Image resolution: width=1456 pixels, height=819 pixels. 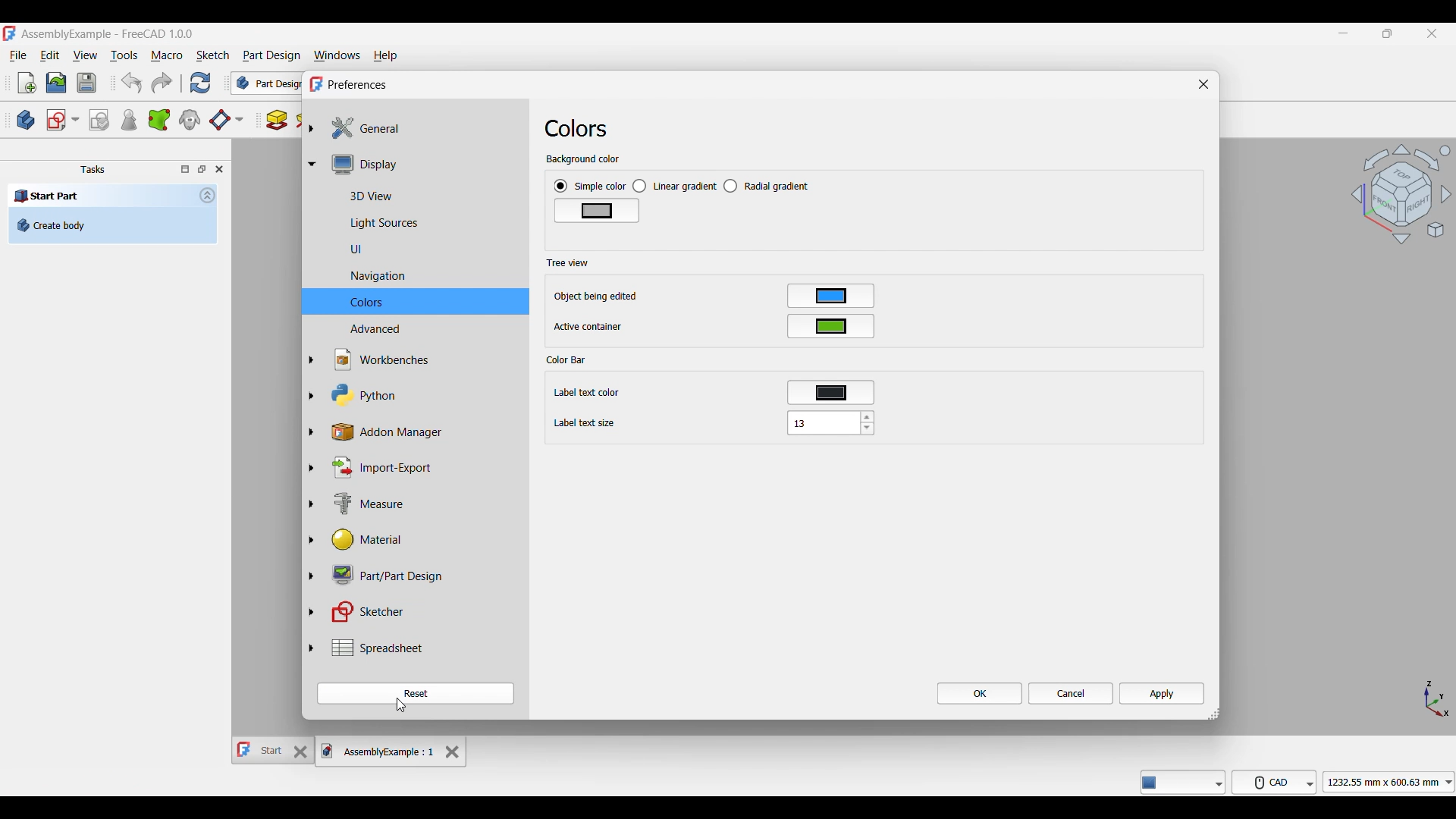 I want to click on Manually change text size, so click(x=822, y=422).